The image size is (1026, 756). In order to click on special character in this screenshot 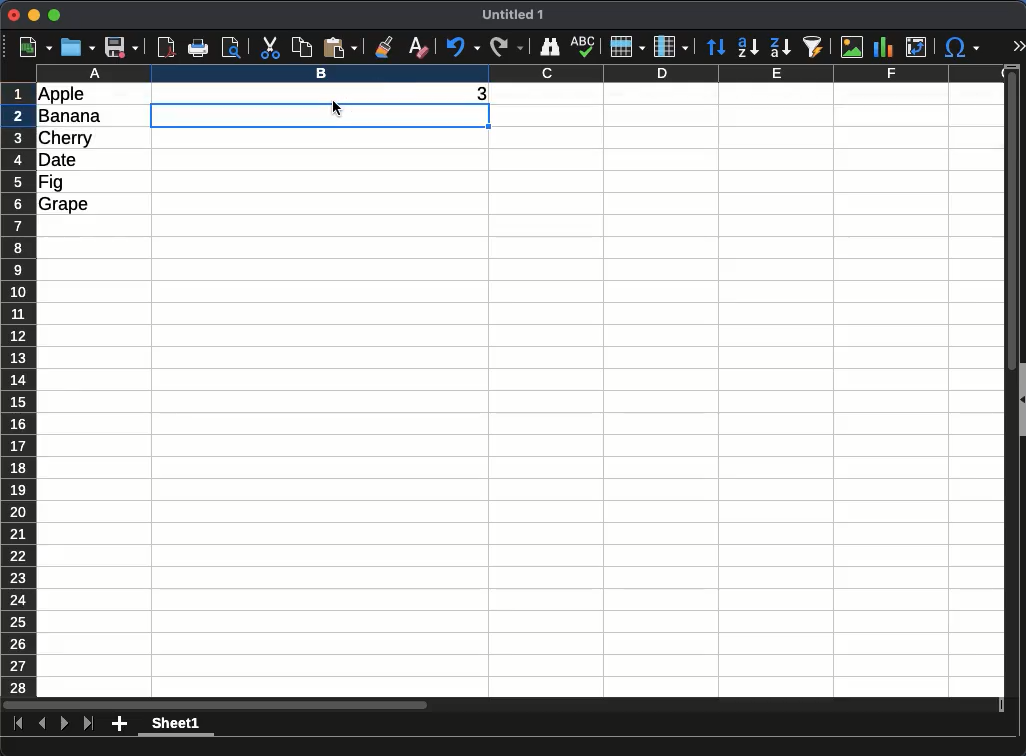, I will do `click(962, 47)`.